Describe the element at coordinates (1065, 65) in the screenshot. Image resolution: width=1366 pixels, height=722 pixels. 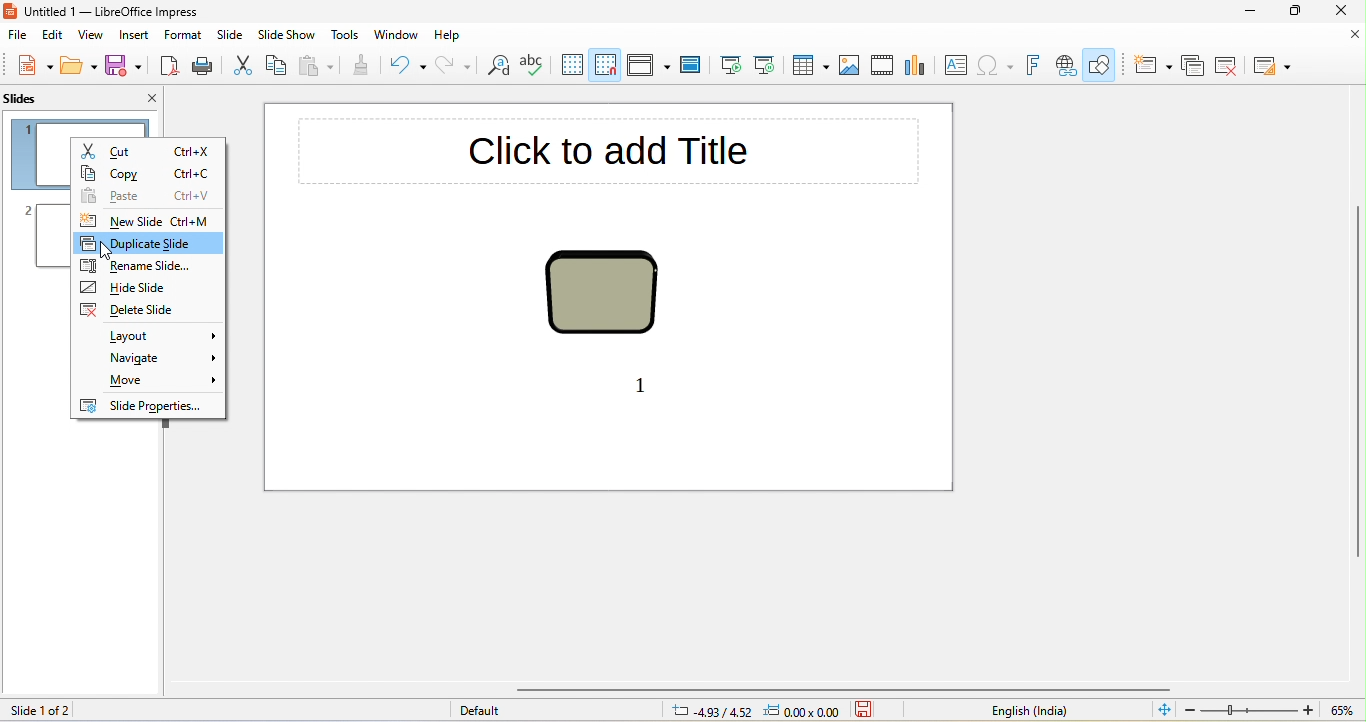
I see `hyperlink` at that location.